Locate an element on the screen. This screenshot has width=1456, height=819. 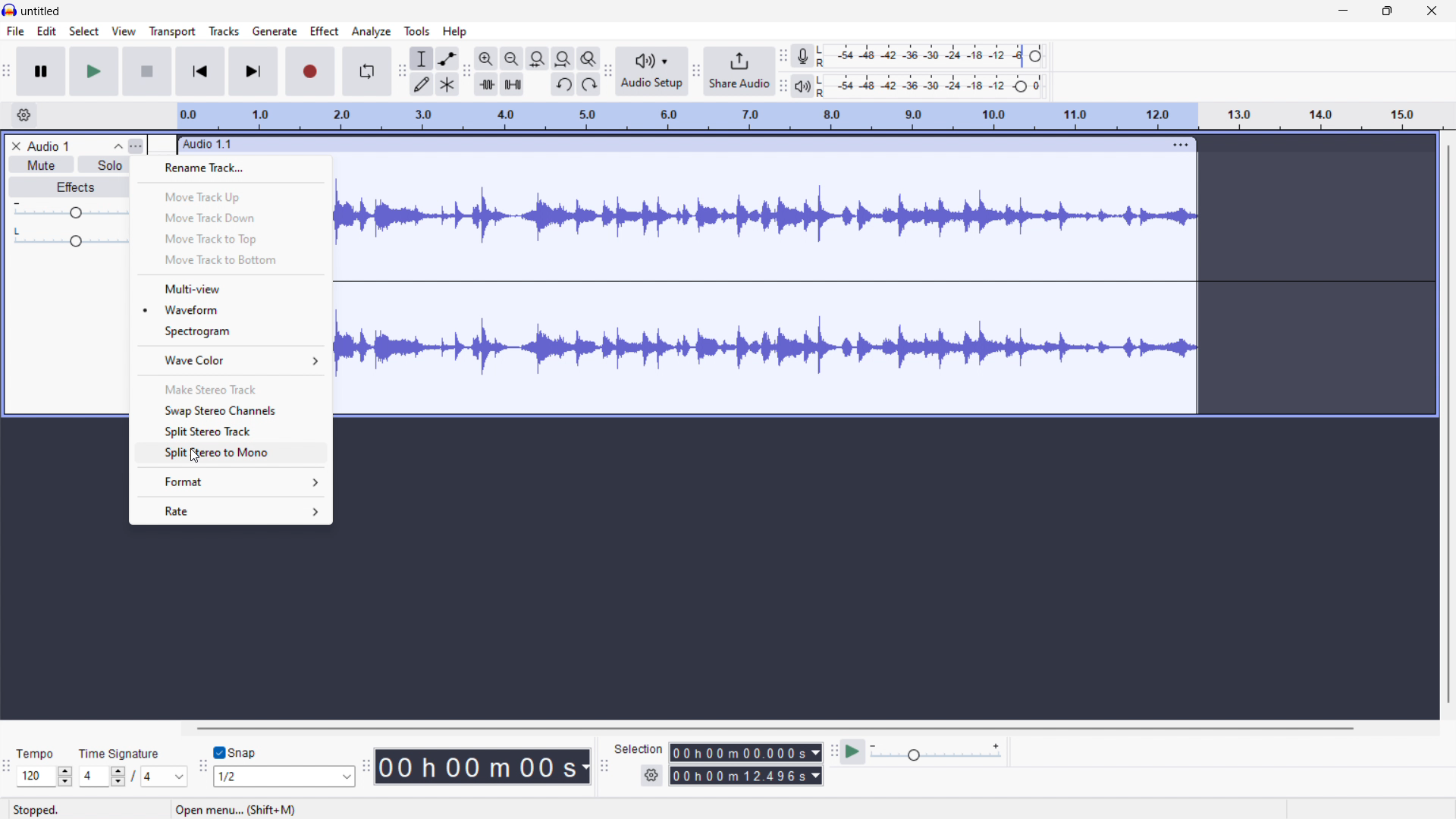
Stopped is located at coordinates (38, 810).